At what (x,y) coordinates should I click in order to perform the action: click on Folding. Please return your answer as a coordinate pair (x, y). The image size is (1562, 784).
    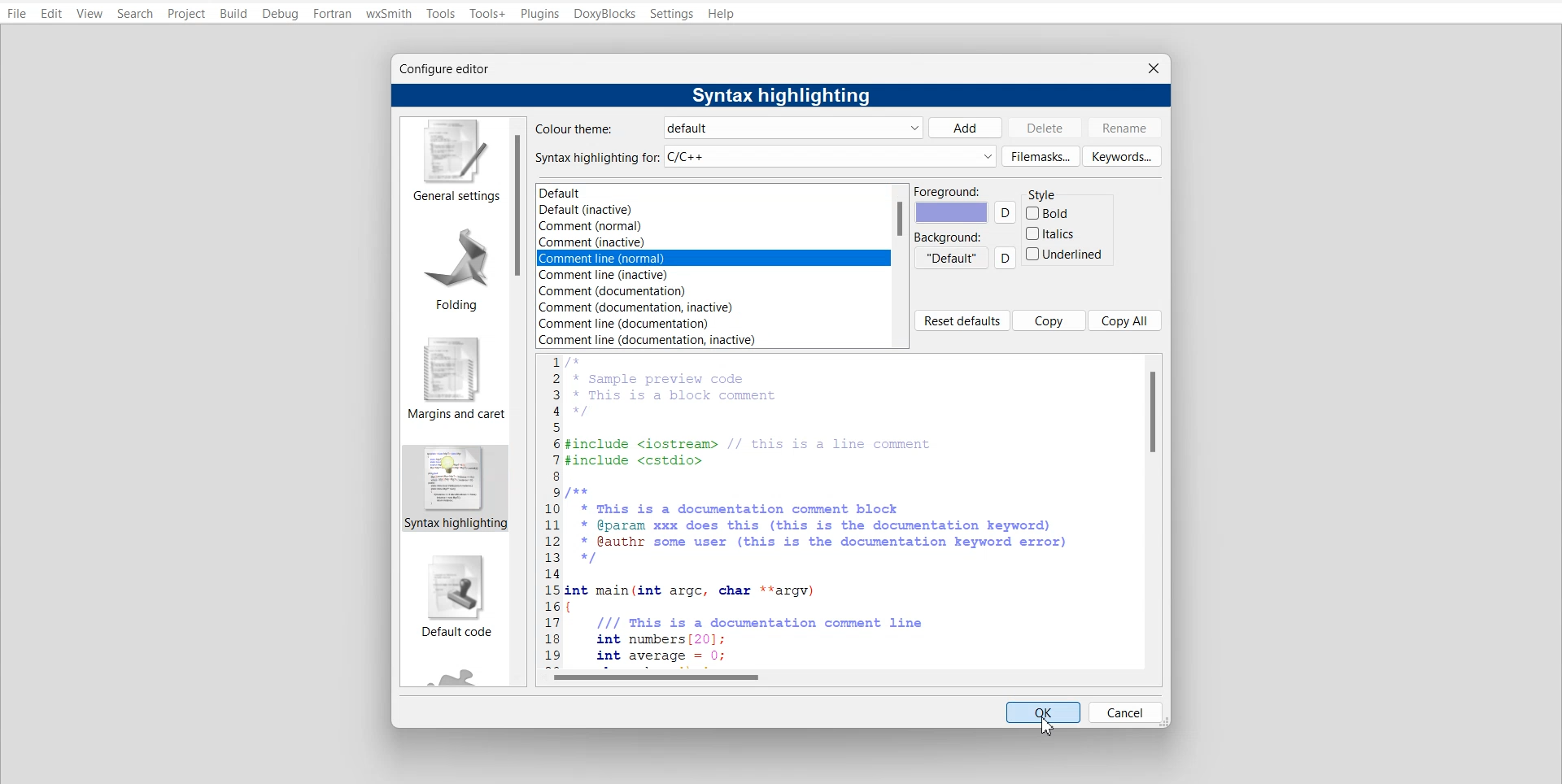
    Looking at the image, I should click on (453, 263).